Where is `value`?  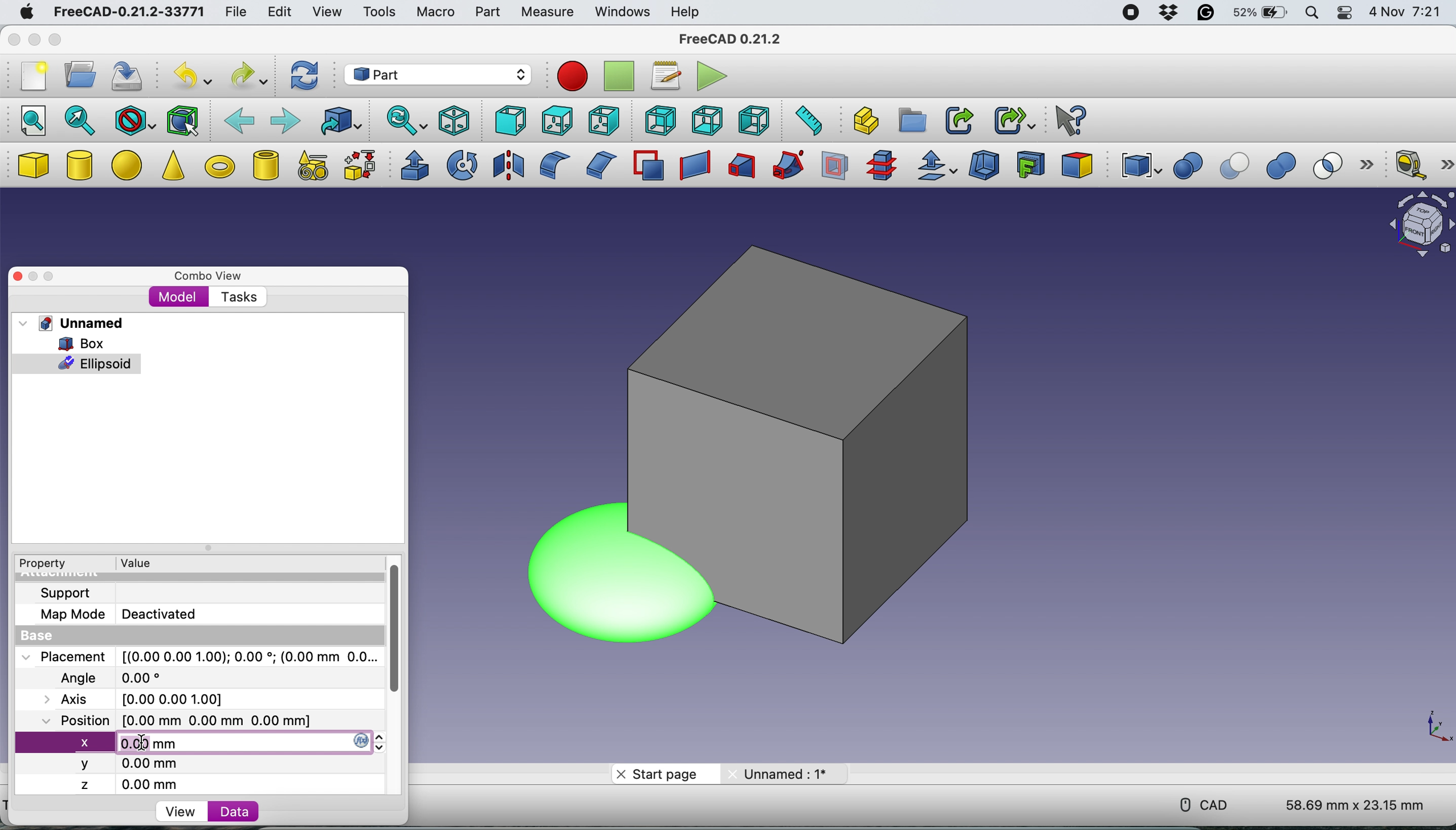
value is located at coordinates (134, 563).